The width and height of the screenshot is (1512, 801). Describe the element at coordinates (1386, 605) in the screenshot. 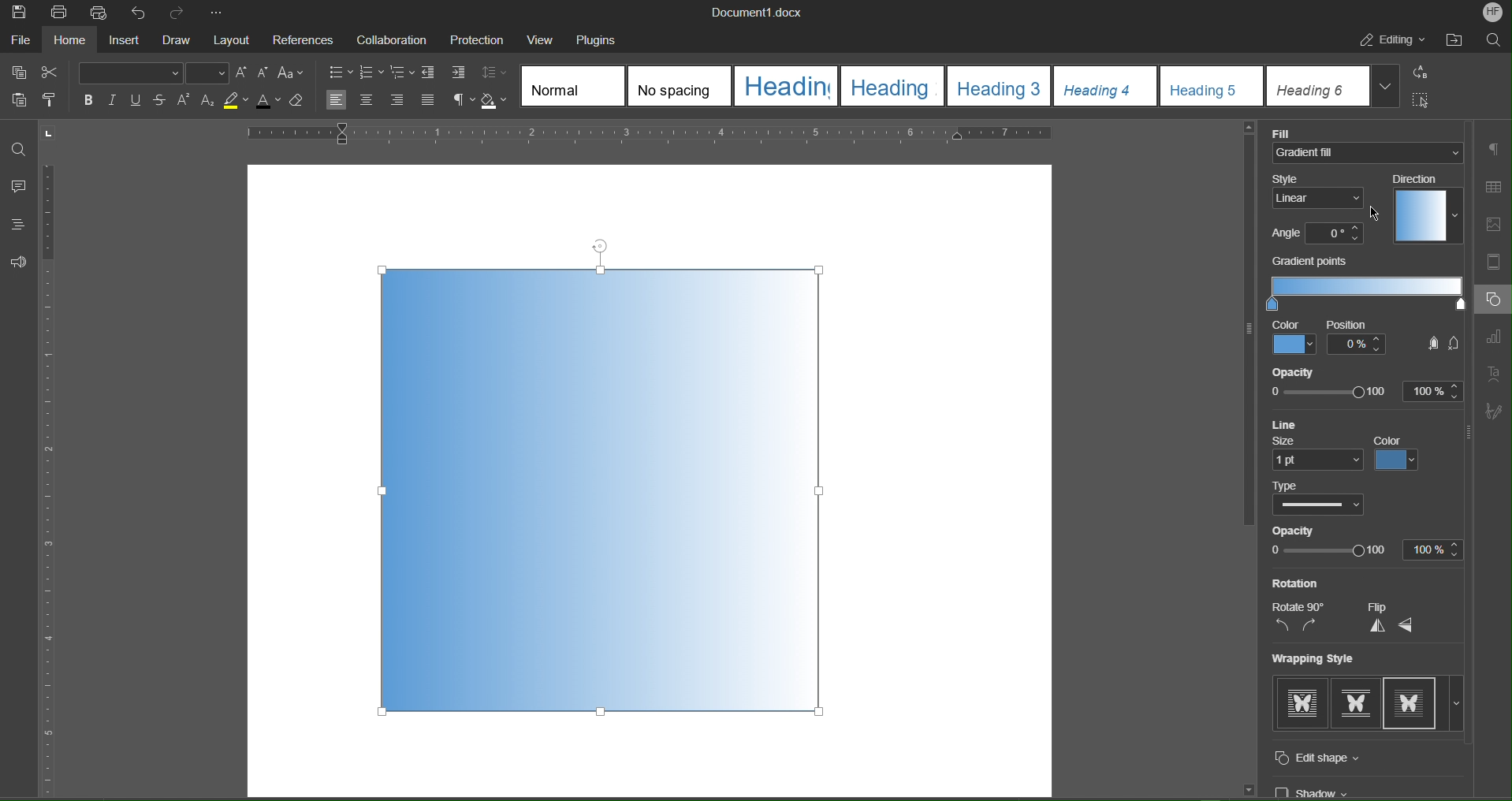

I see `Flip` at that location.